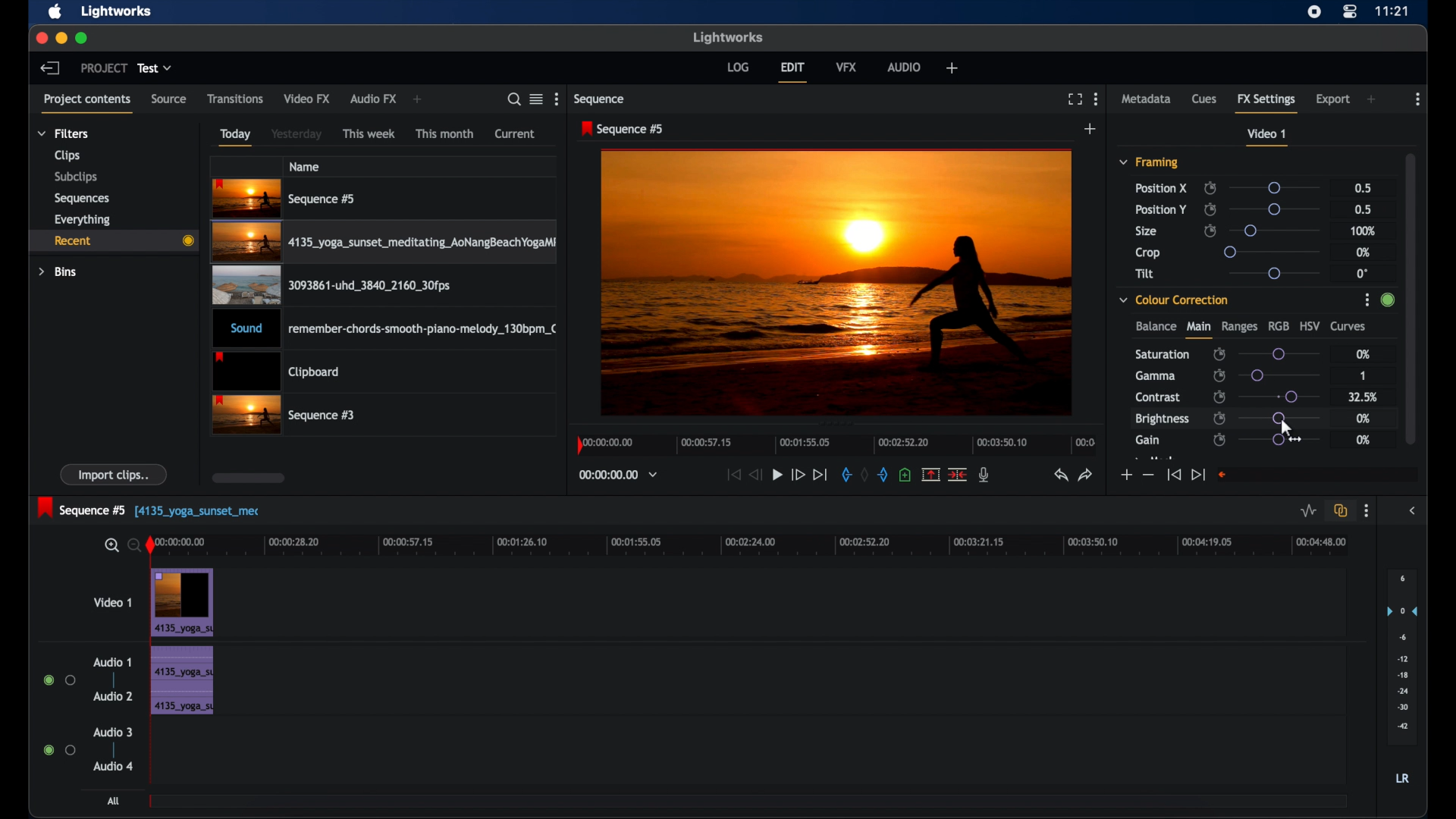  What do you see at coordinates (1363, 418) in the screenshot?
I see `0%` at bounding box center [1363, 418].